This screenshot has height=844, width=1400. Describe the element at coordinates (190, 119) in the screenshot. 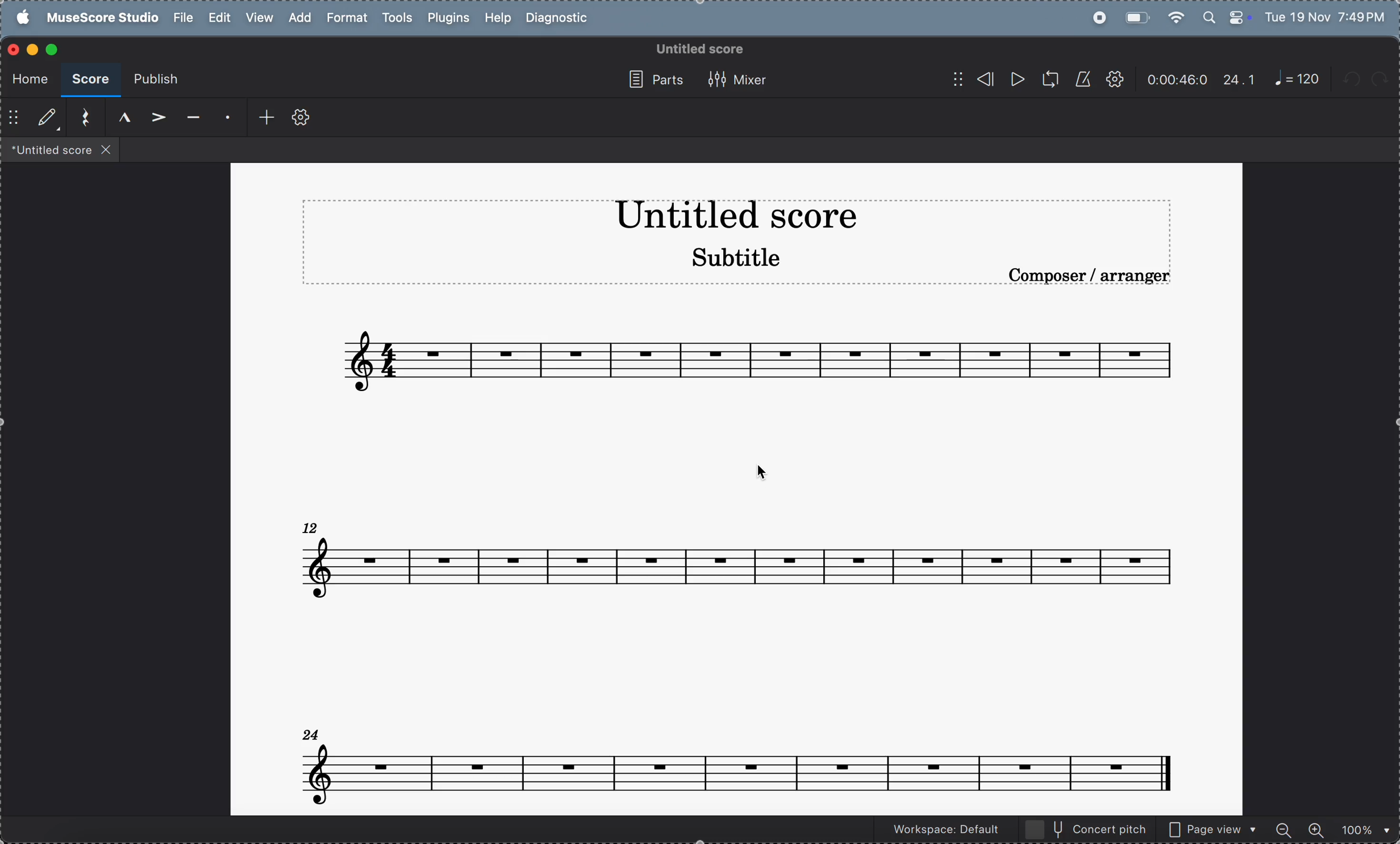

I see `tenuto` at that location.